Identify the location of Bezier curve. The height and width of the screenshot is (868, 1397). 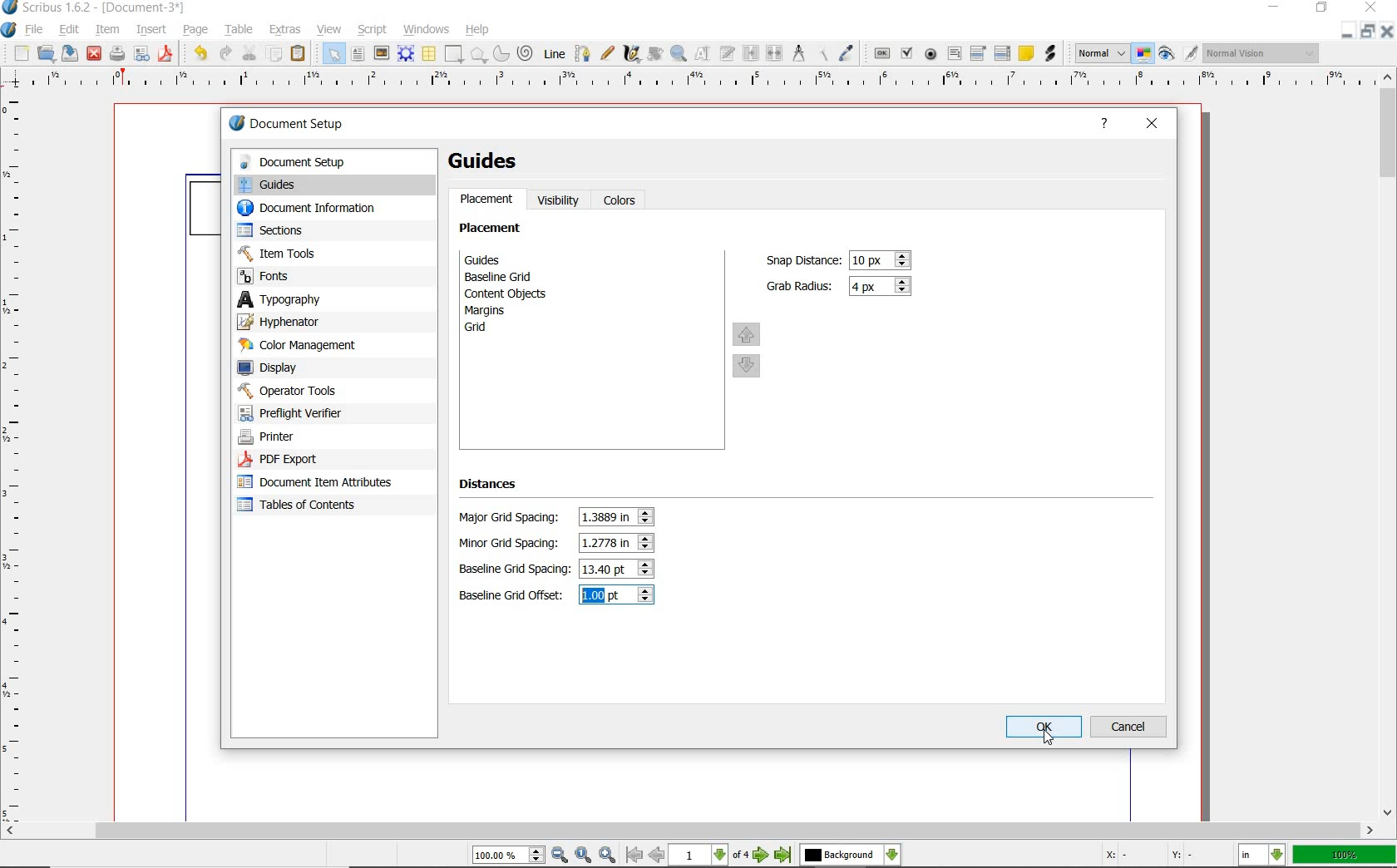
(582, 53).